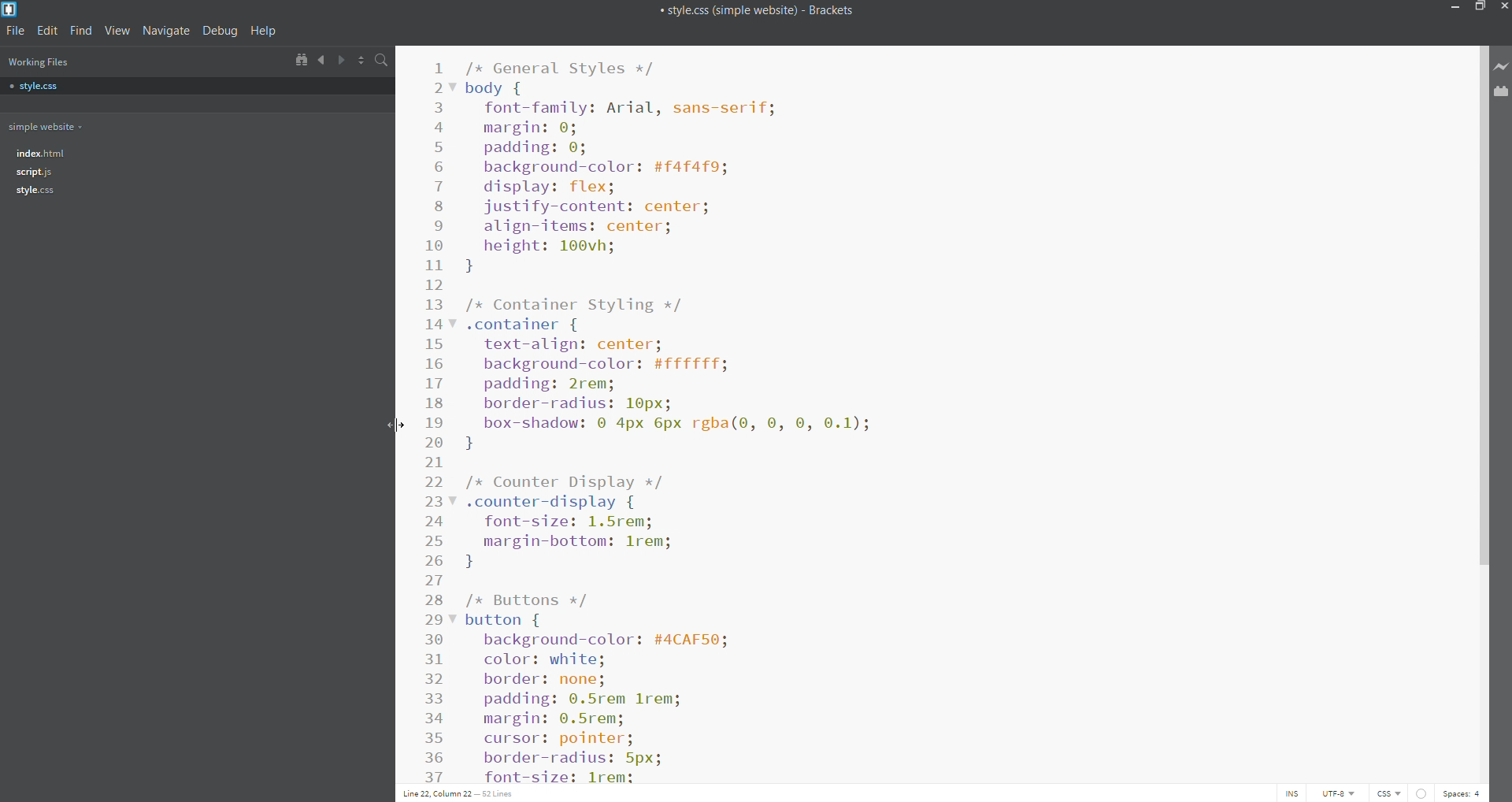  What do you see at coordinates (1454, 8) in the screenshot?
I see `minimize` at bounding box center [1454, 8].